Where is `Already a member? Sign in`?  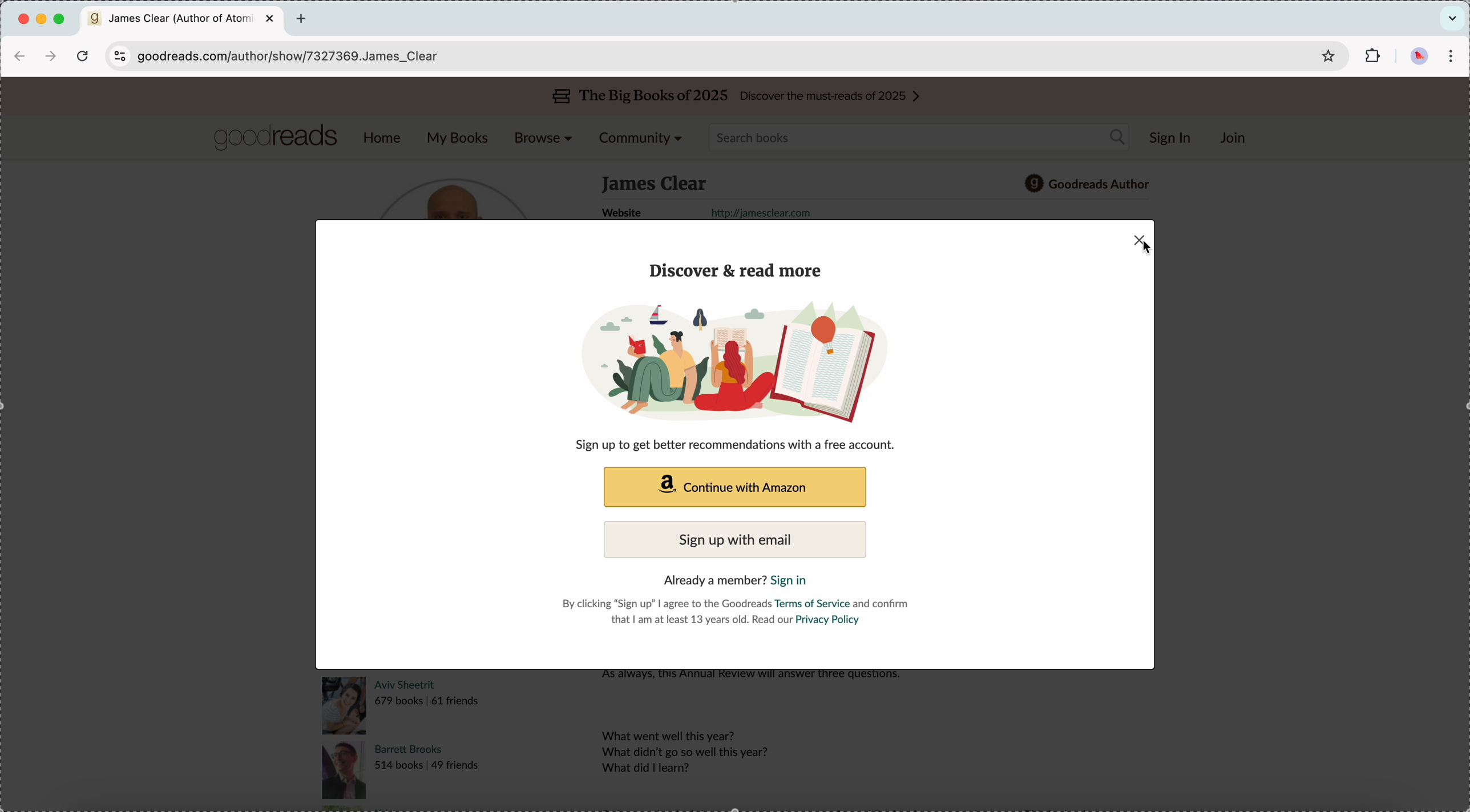 Already a member? Sign in is located at coordinates (741, 579).